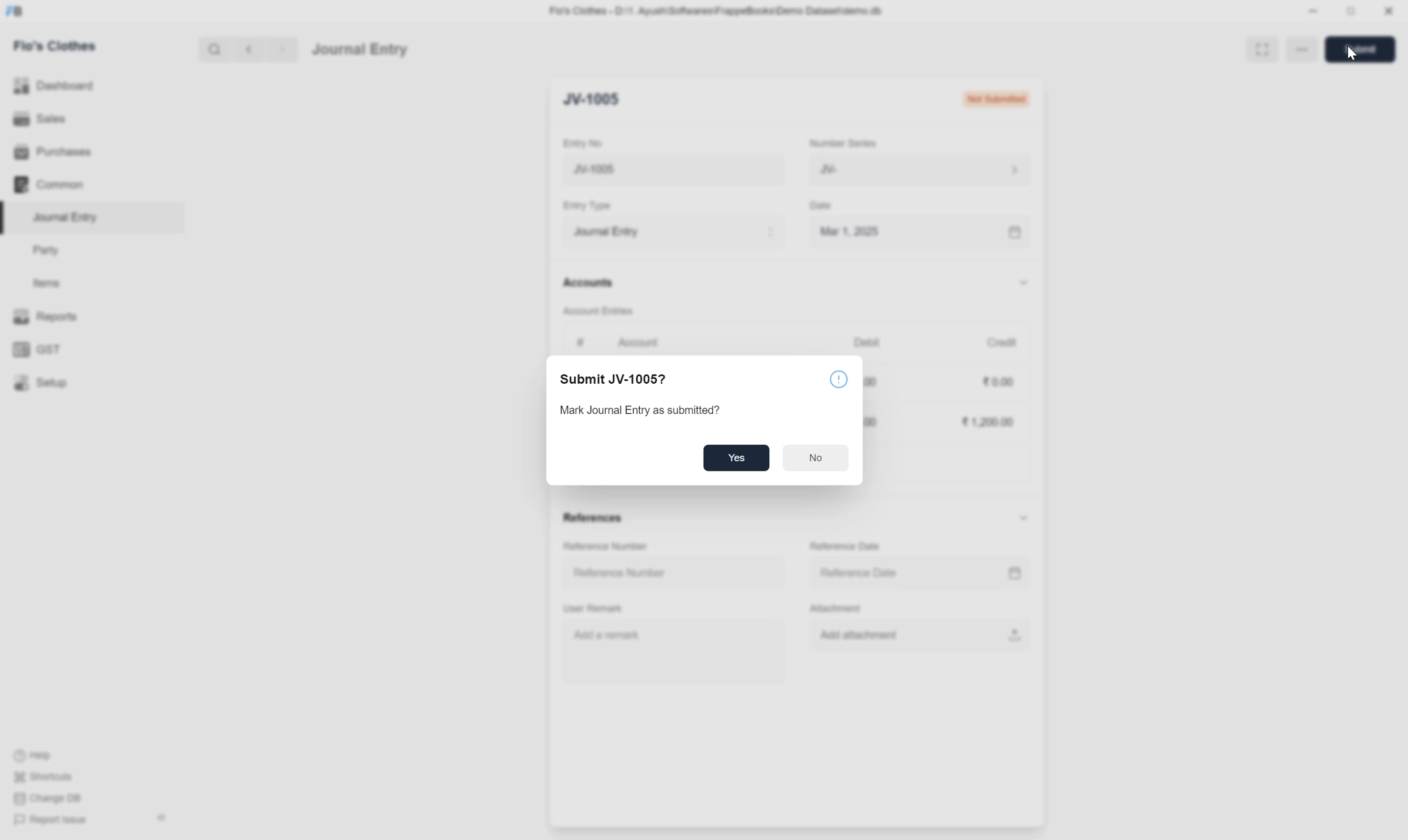 The height and width of the screenshot is (840, 1408). Describe the element at coordinates (161, 818) in the screenshot. I see `<<` at that location.